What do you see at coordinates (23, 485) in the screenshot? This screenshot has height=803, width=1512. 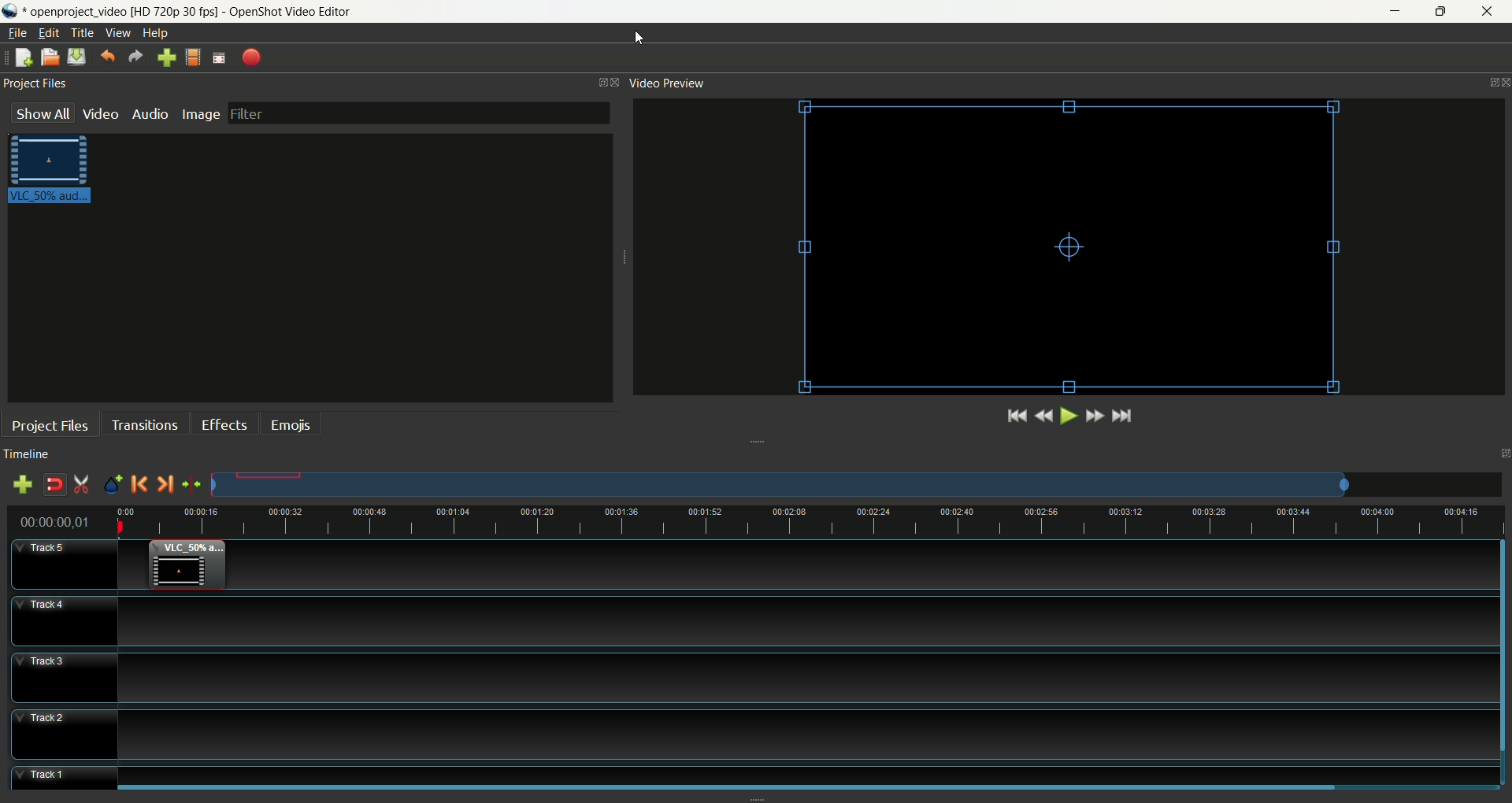 I see `add track` at bounding box center [23, 485].